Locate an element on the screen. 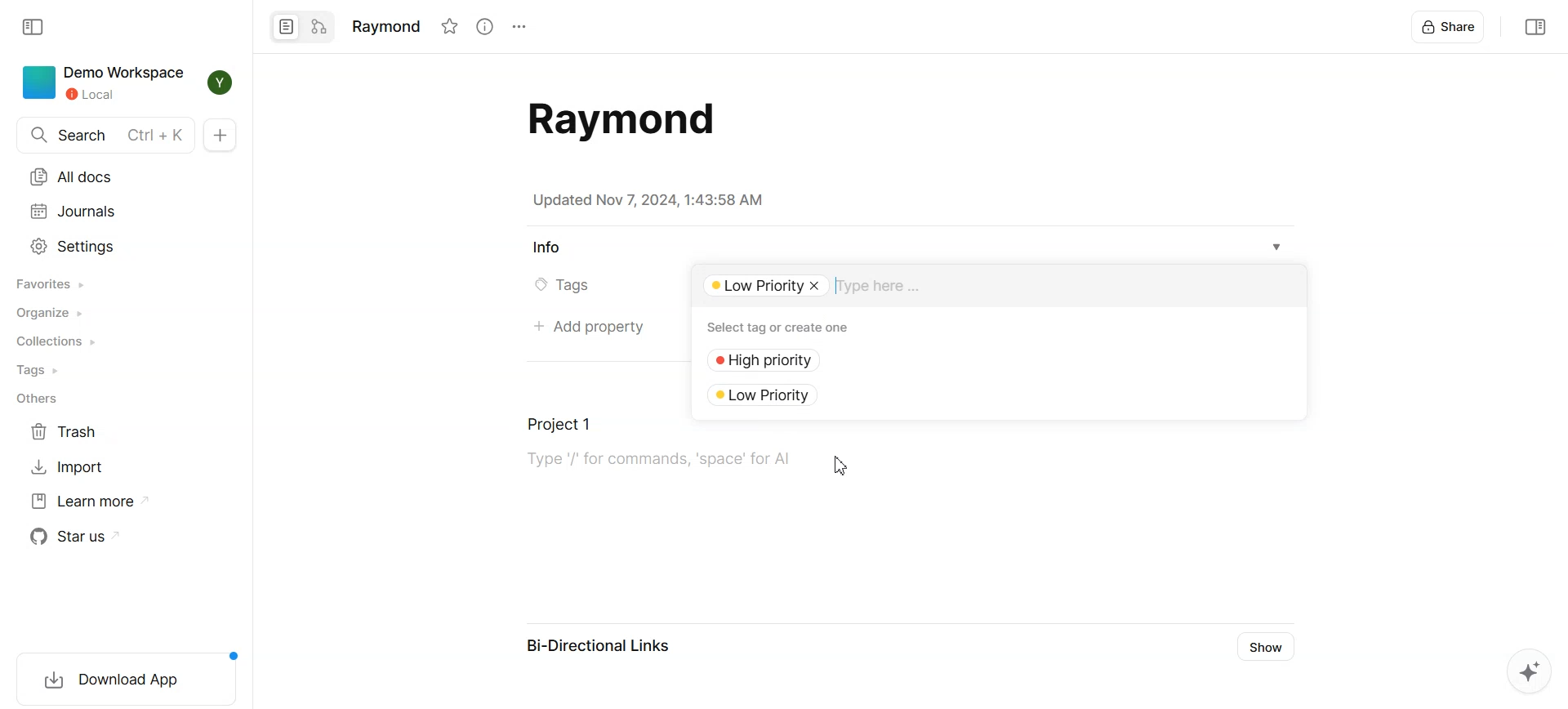  Document template is located at coordinates (616, 119).